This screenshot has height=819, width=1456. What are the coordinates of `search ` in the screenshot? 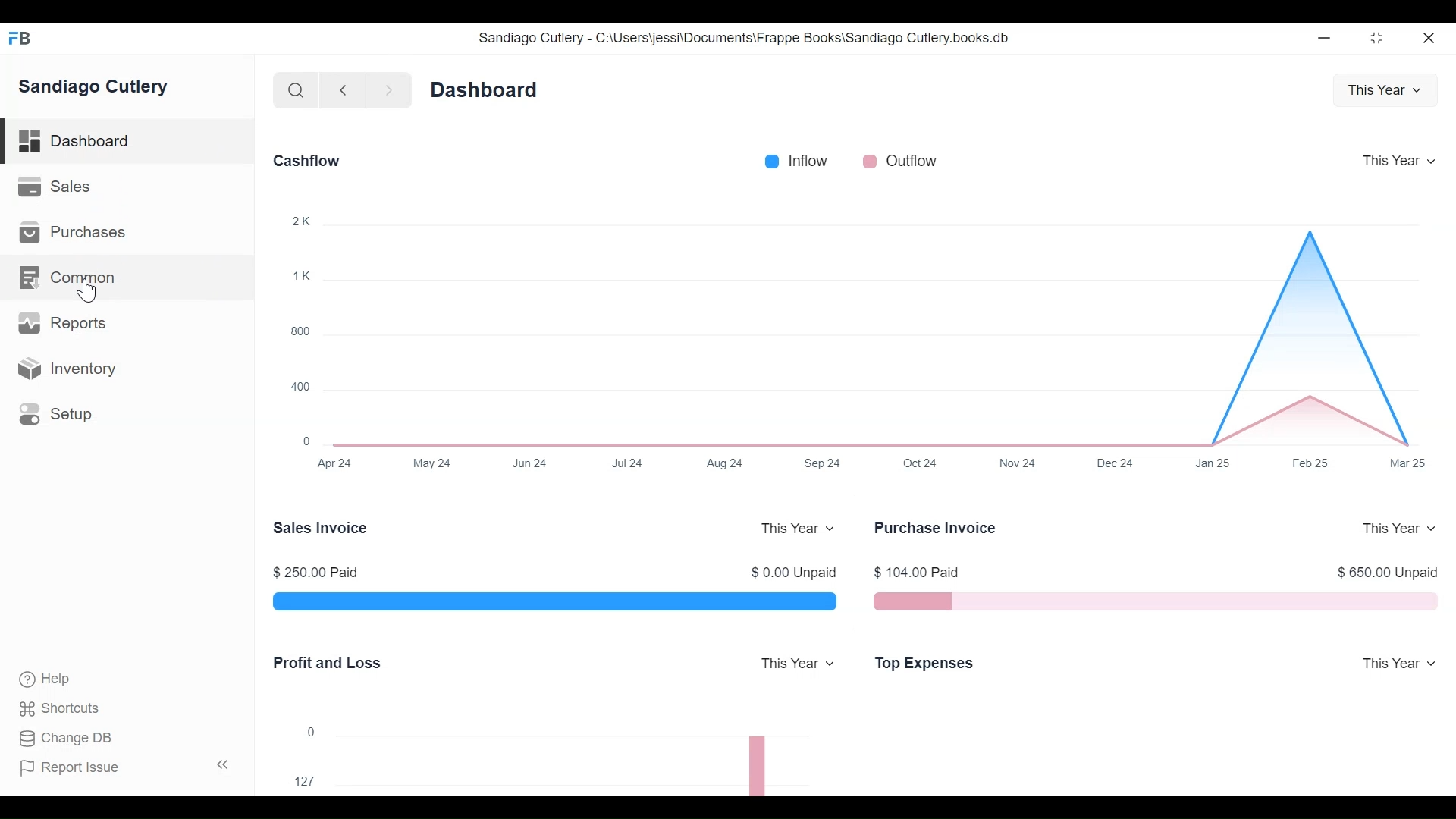 It's located at (293, 88).